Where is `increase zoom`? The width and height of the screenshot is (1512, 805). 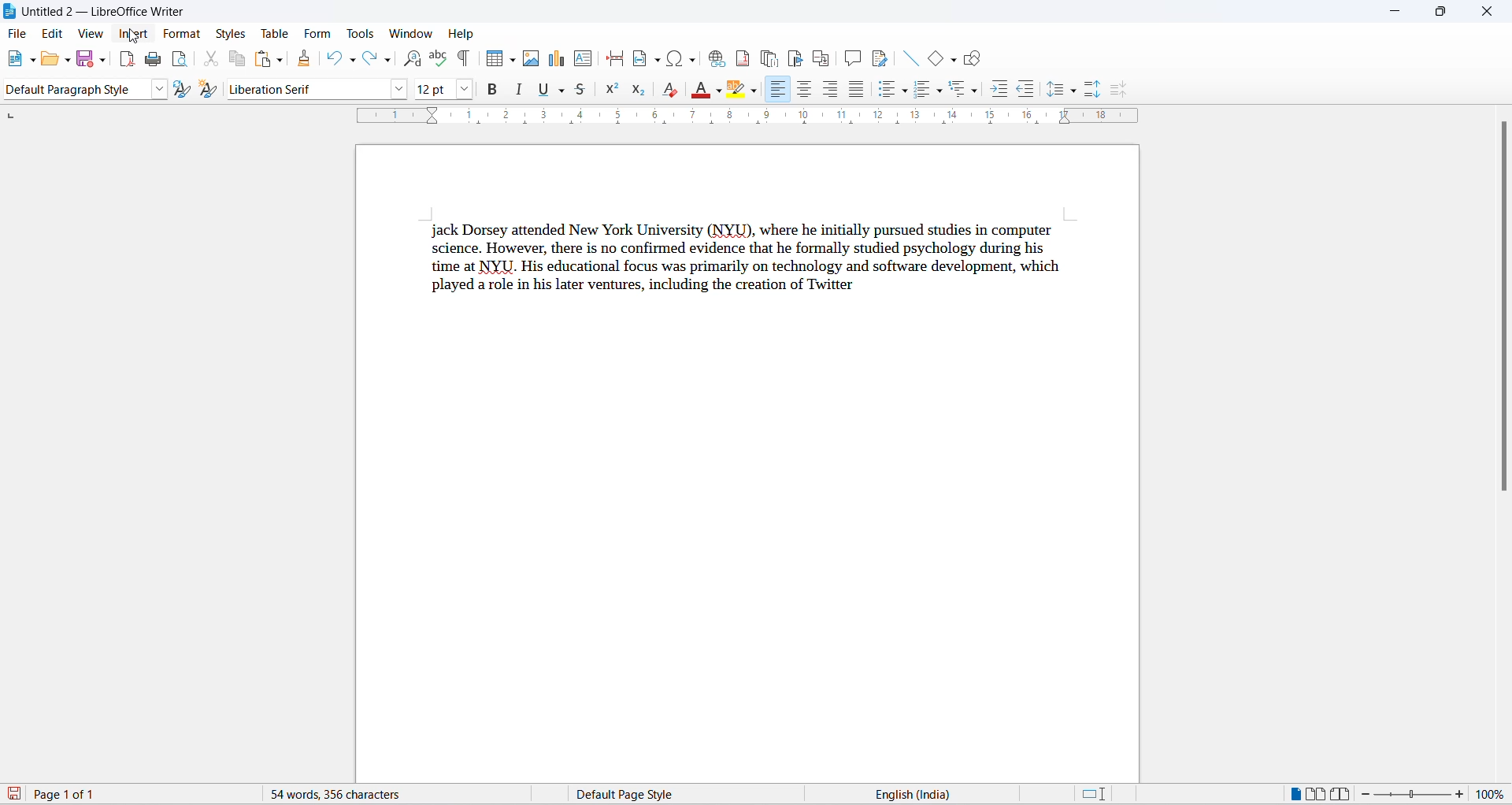
increase zoom is located at coordinates (1463, 797).